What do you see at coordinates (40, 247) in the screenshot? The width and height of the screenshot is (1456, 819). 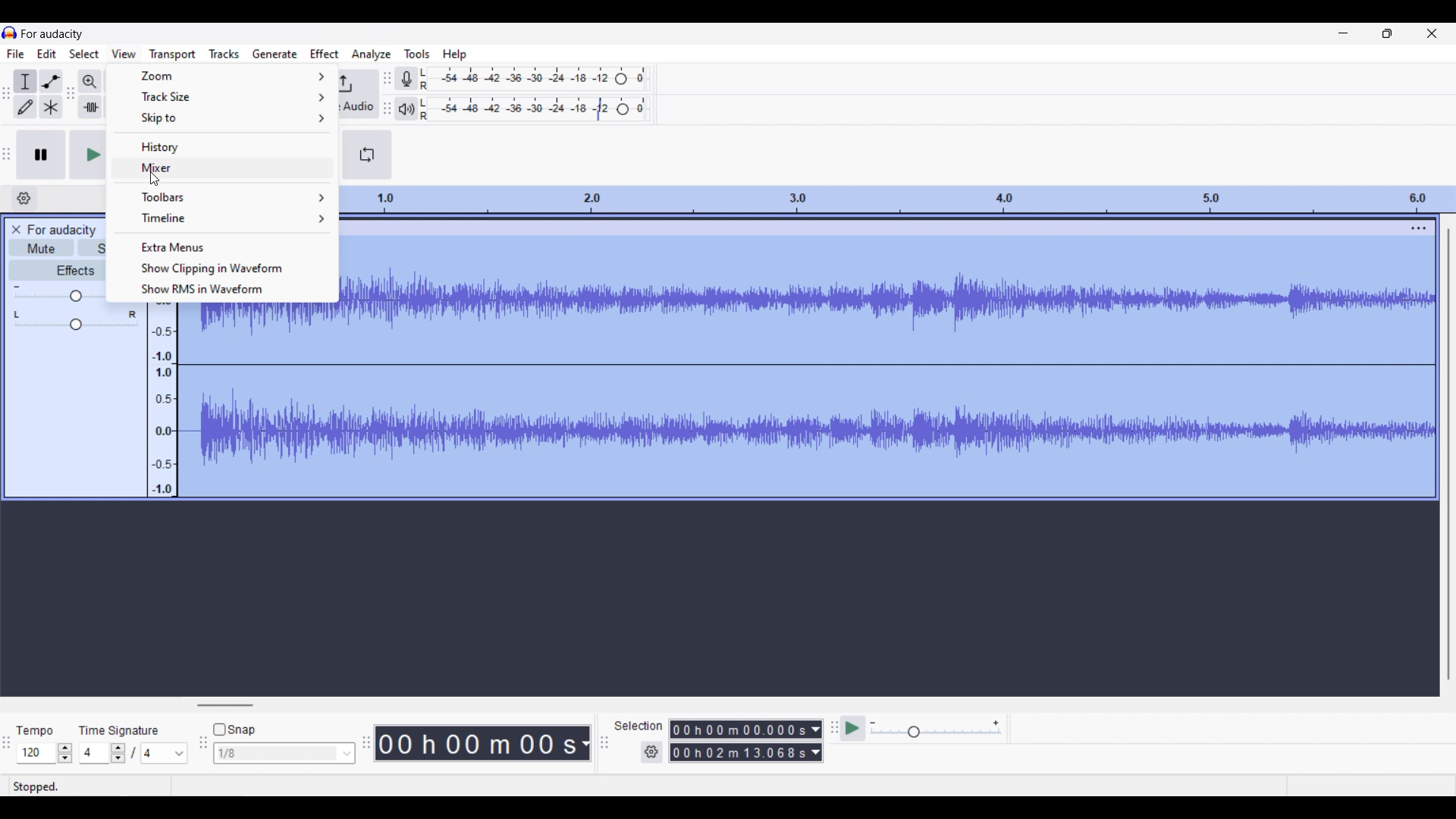 I see `Mute` at bounding box center [40, 247].